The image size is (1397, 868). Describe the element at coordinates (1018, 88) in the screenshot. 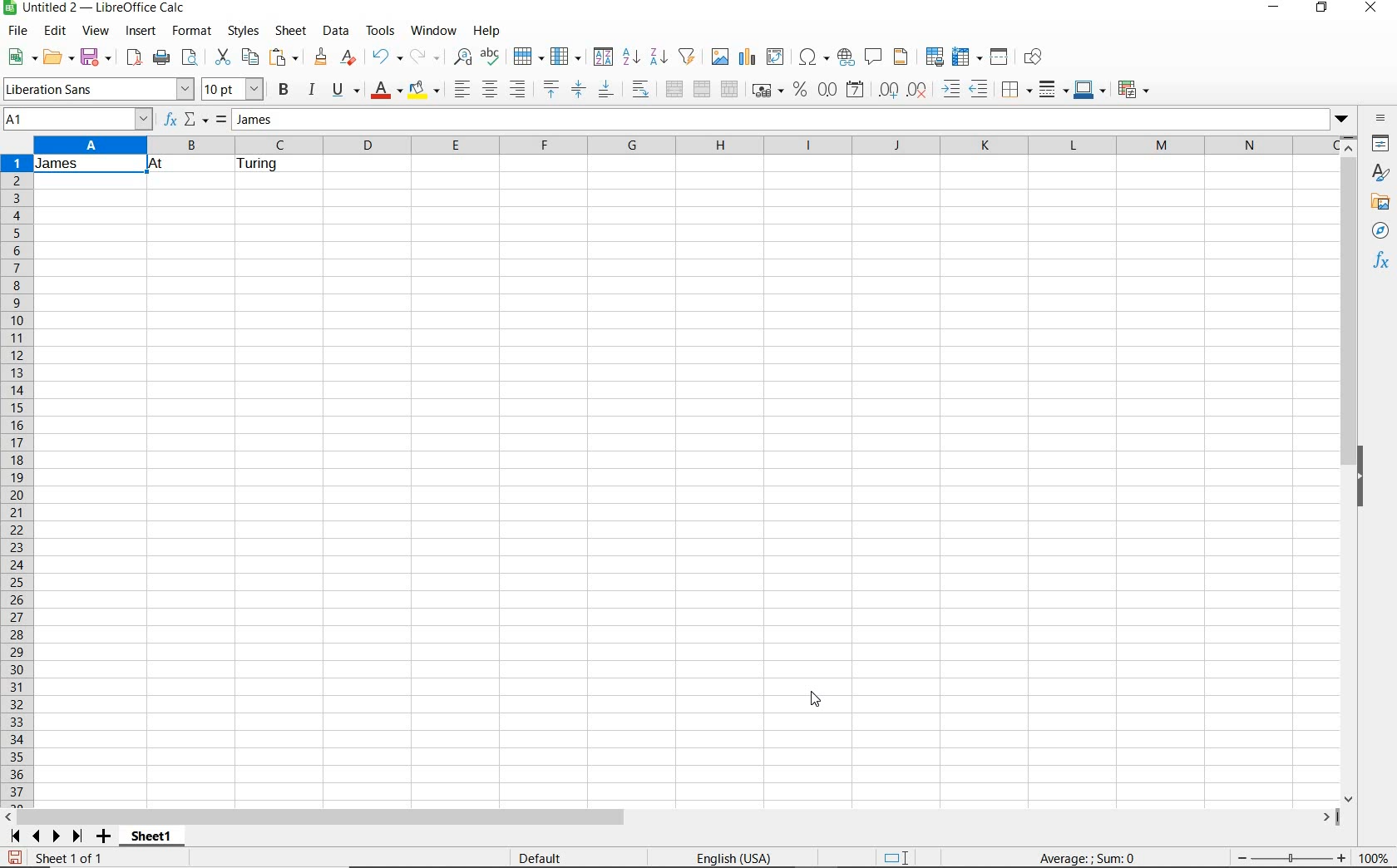

I see `border style` at that location.